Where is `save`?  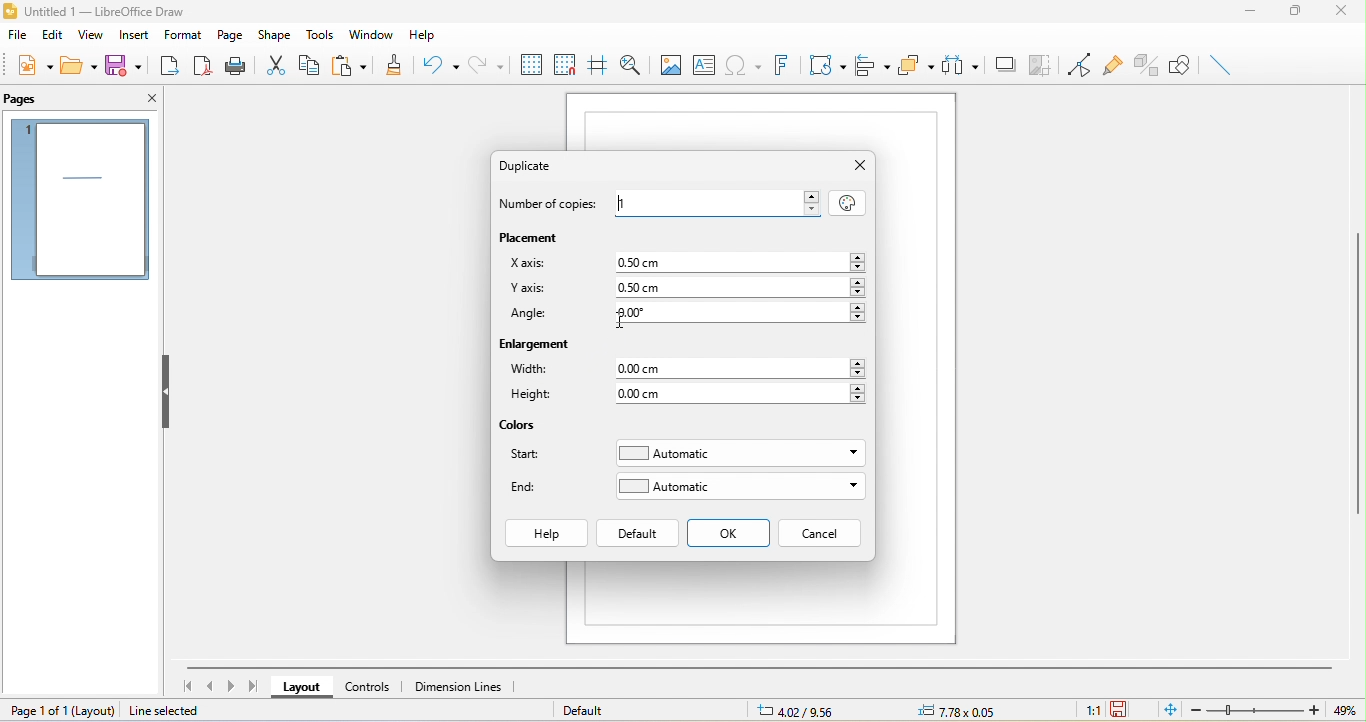
save is located at coordinates (123, 64).